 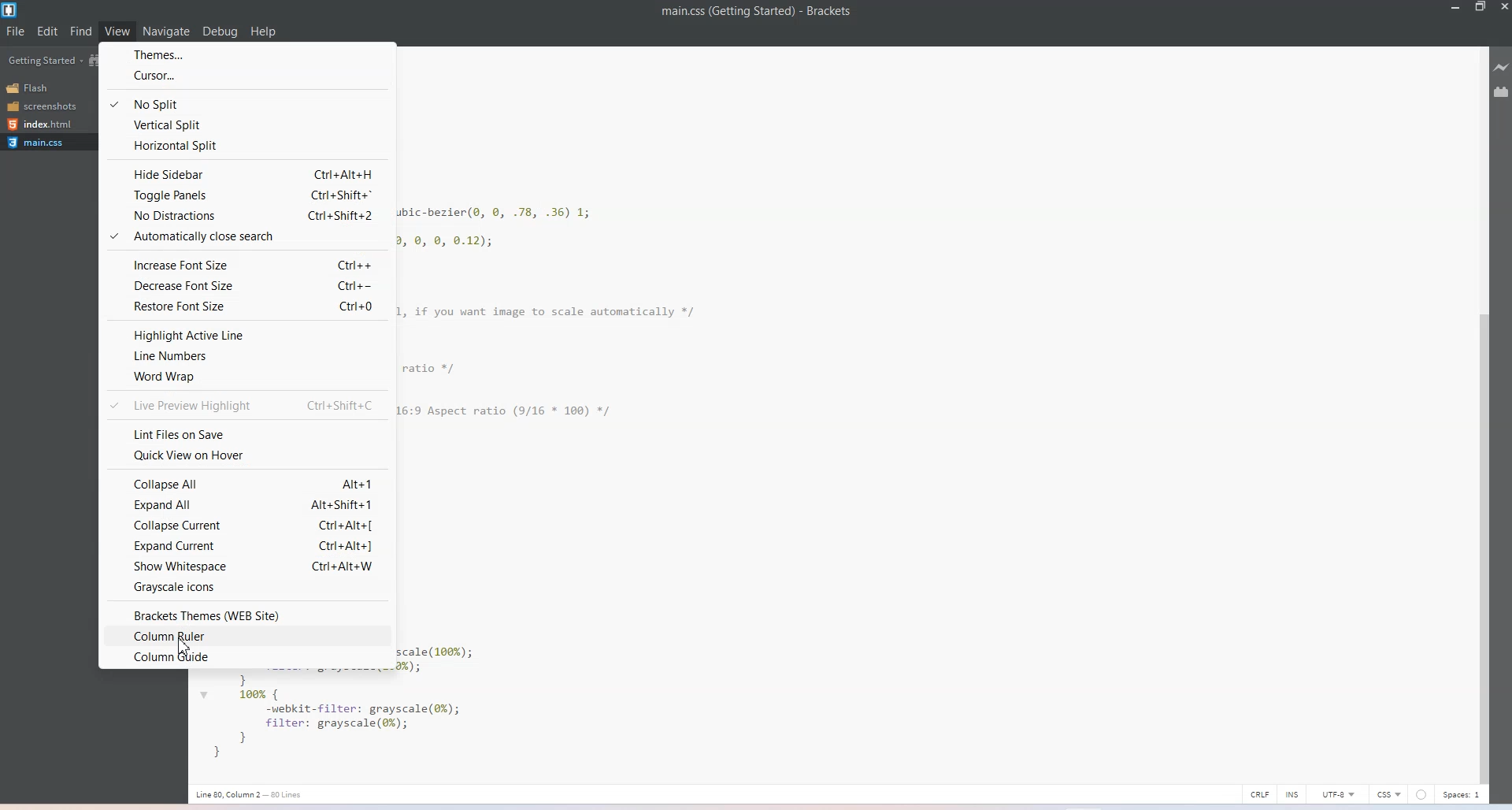 I want to click on Highlight active line, so click(x=247, y=335).